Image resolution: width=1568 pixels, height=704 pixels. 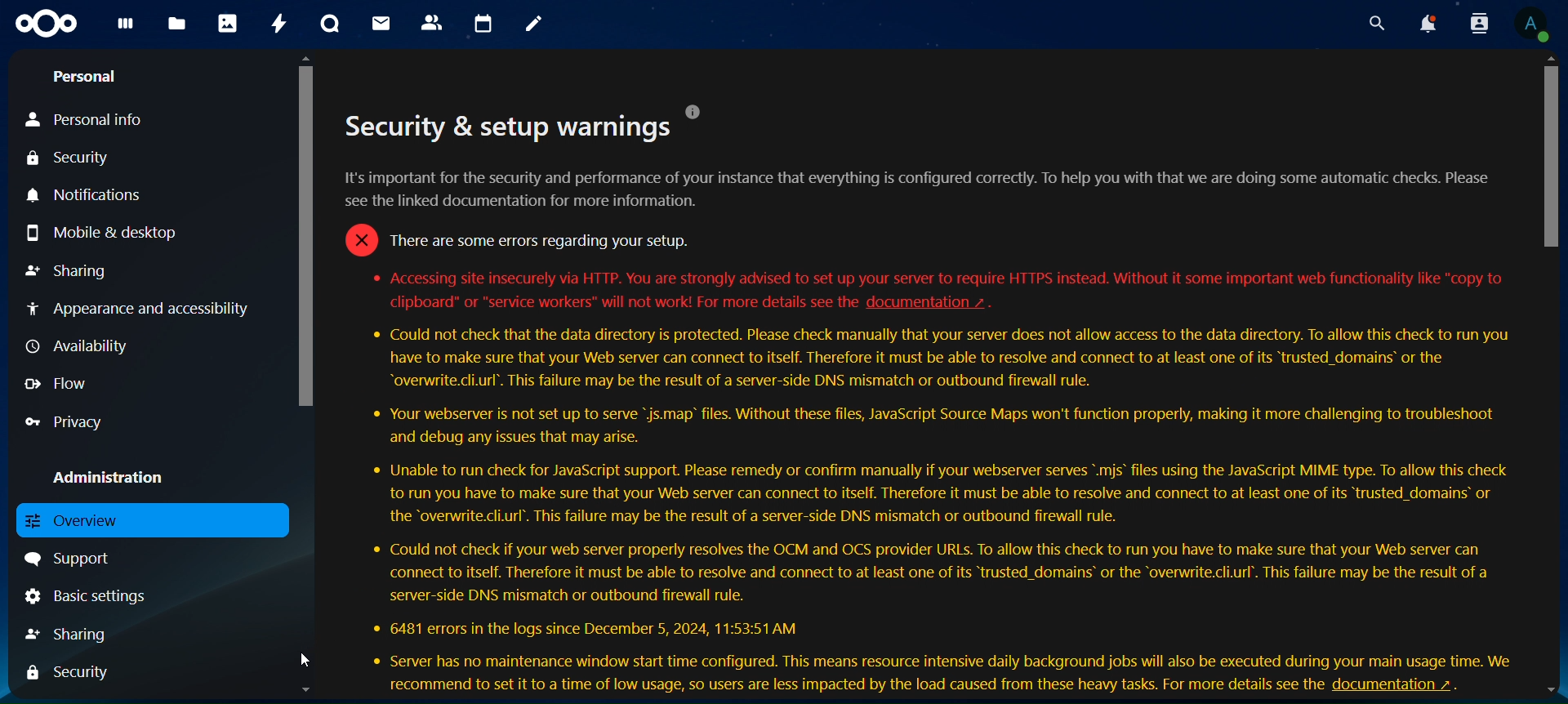 What do you see at coordinates (89, 118) in the screenshot?
I see `personal info` at bounding box center [89, 118].